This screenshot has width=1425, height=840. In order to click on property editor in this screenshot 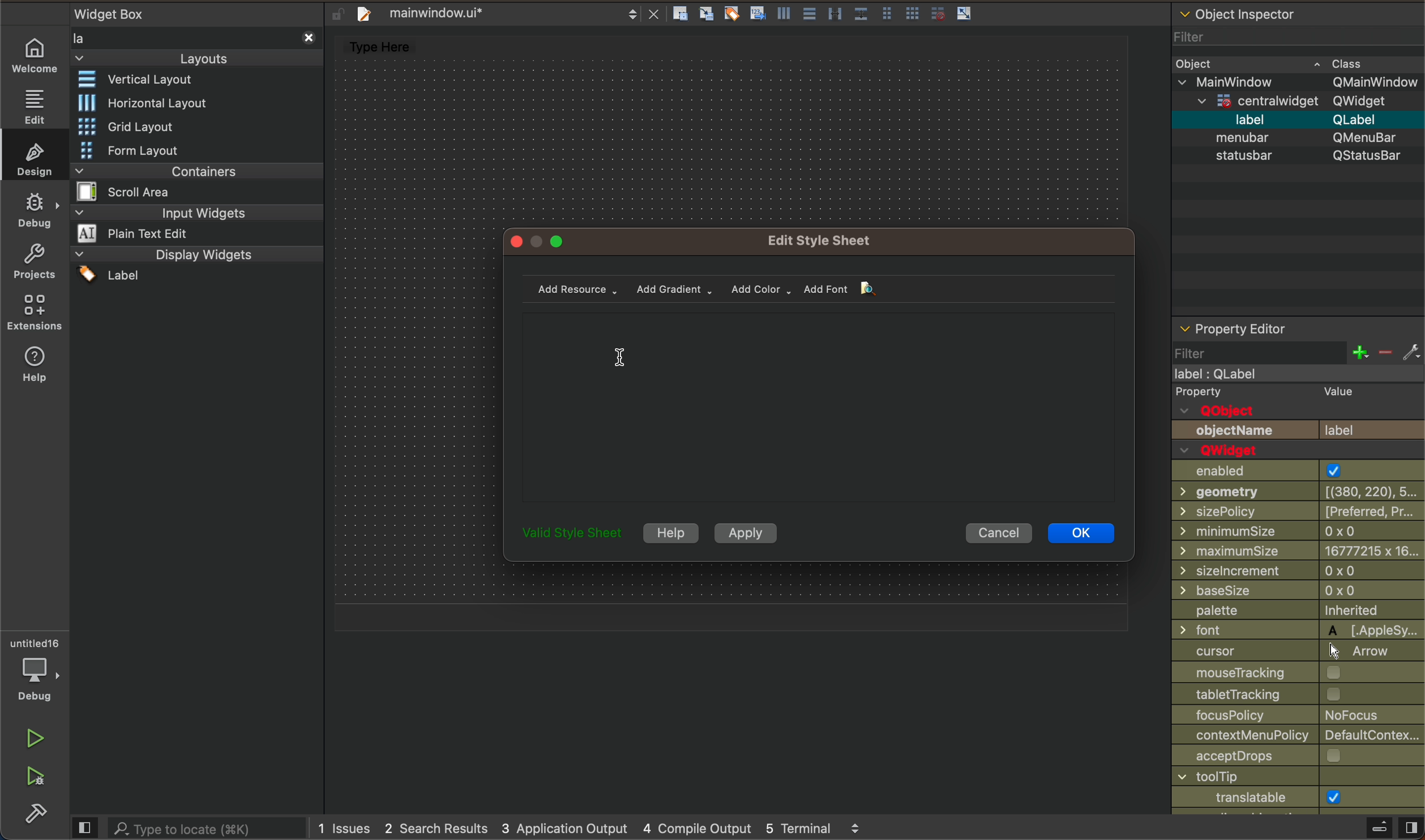, I will do `click(1298, 342)`.